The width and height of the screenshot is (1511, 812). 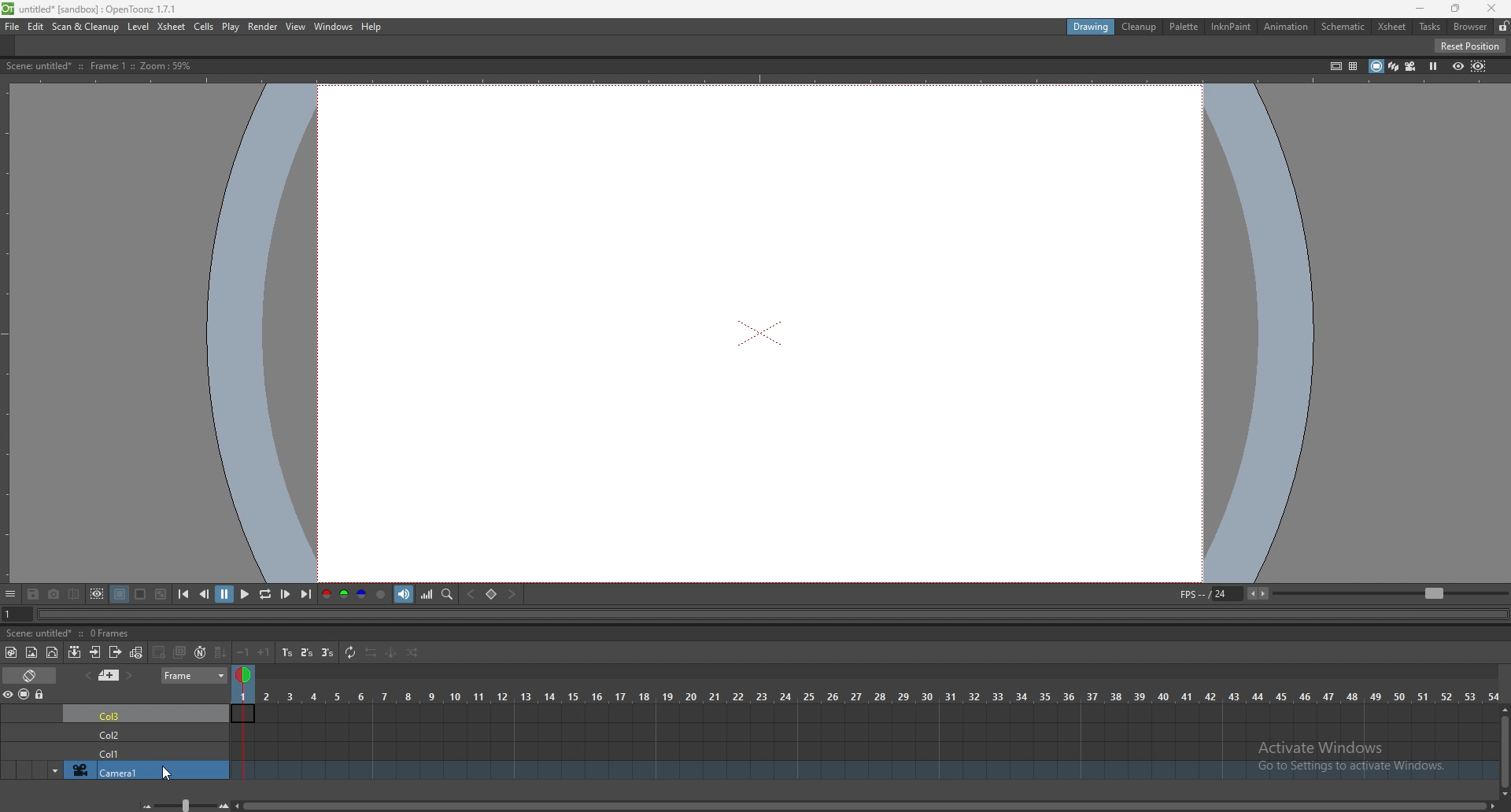 I want to click on snapshot, so click(x=54, y=594).